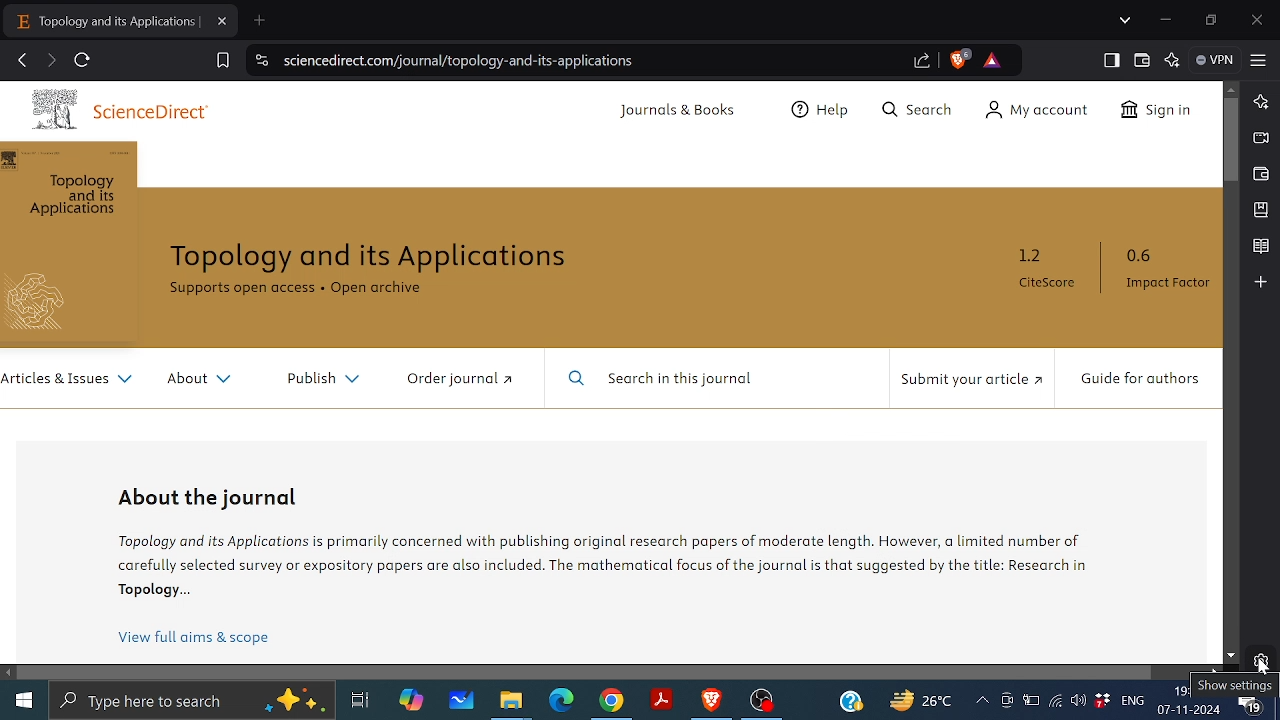  I want to click on Search tabs, so click(1125, 20).